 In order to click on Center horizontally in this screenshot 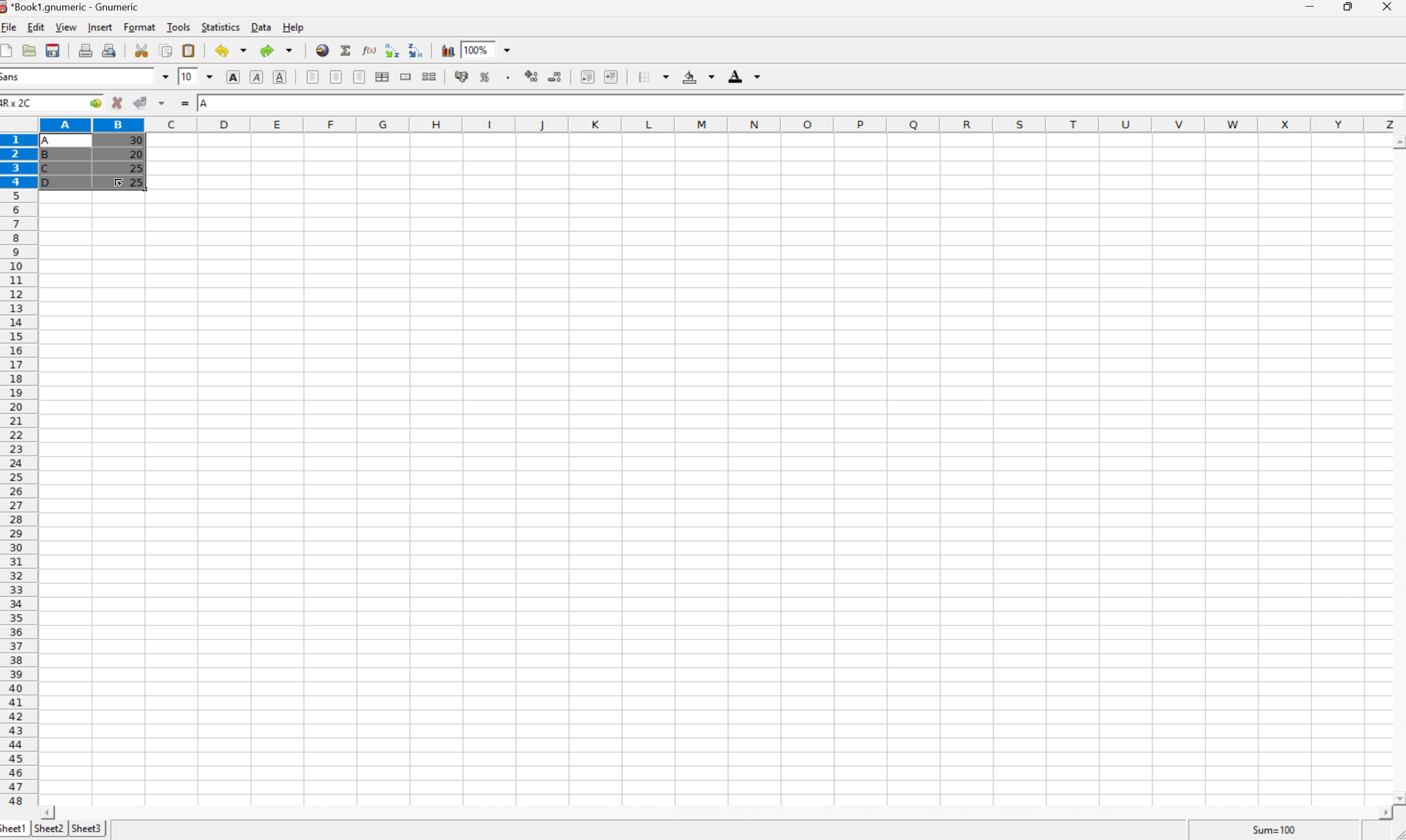, I will do `click(337, 78)`.